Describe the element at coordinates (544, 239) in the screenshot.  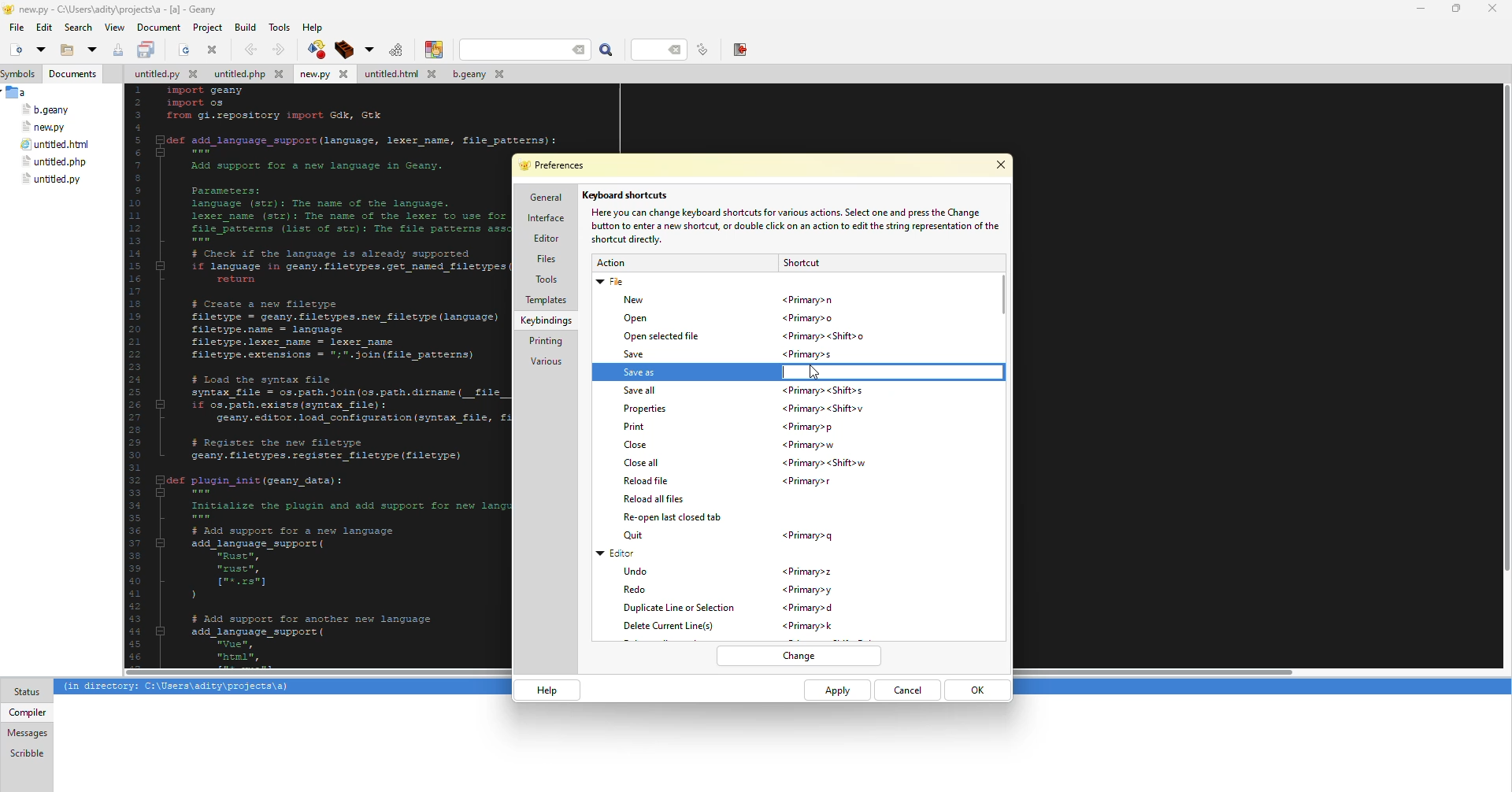
I see `editor` at that location.